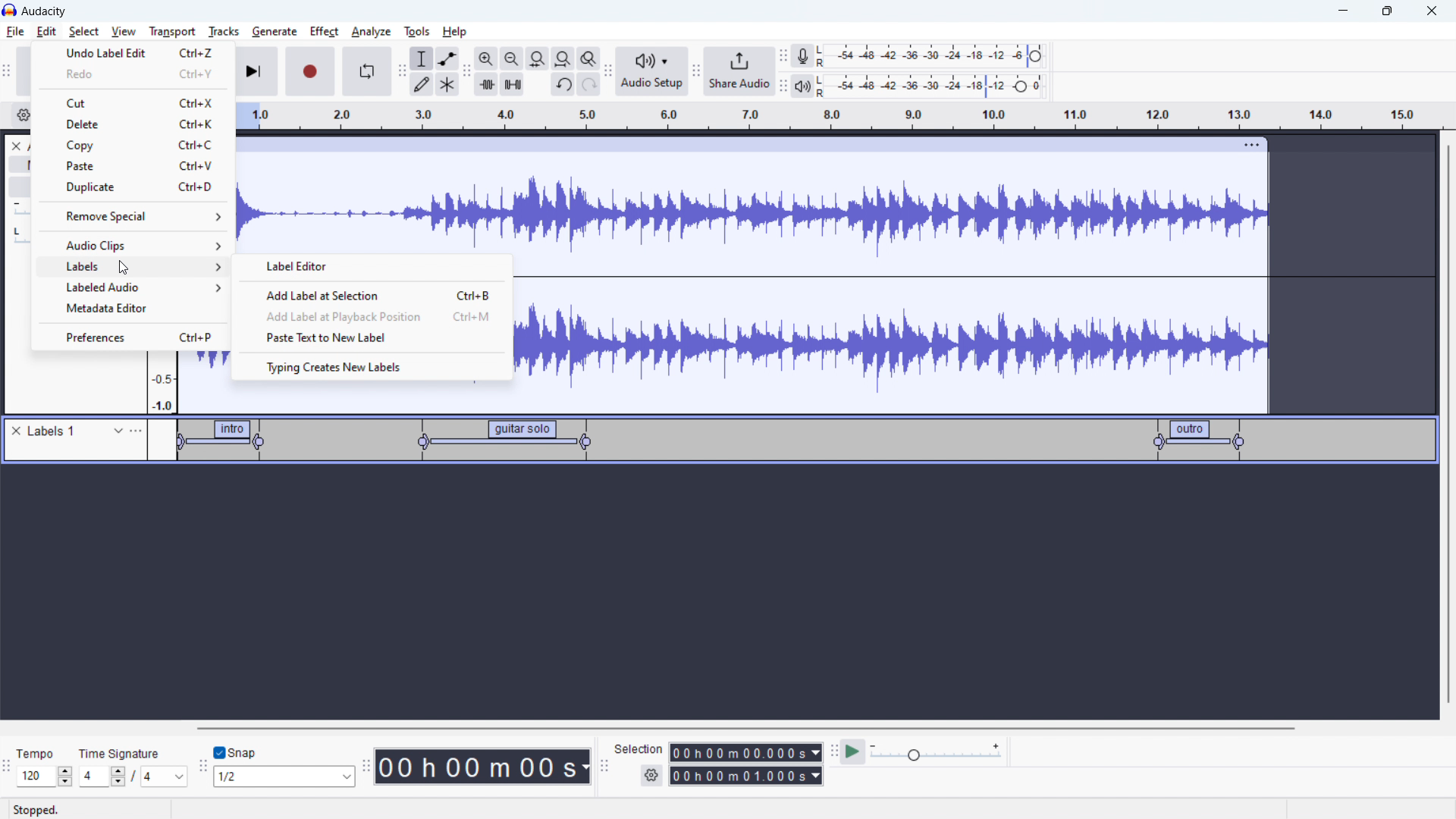 This screenshot has width=1456, height=819. I want to click on Audacity, so click(44, 11).